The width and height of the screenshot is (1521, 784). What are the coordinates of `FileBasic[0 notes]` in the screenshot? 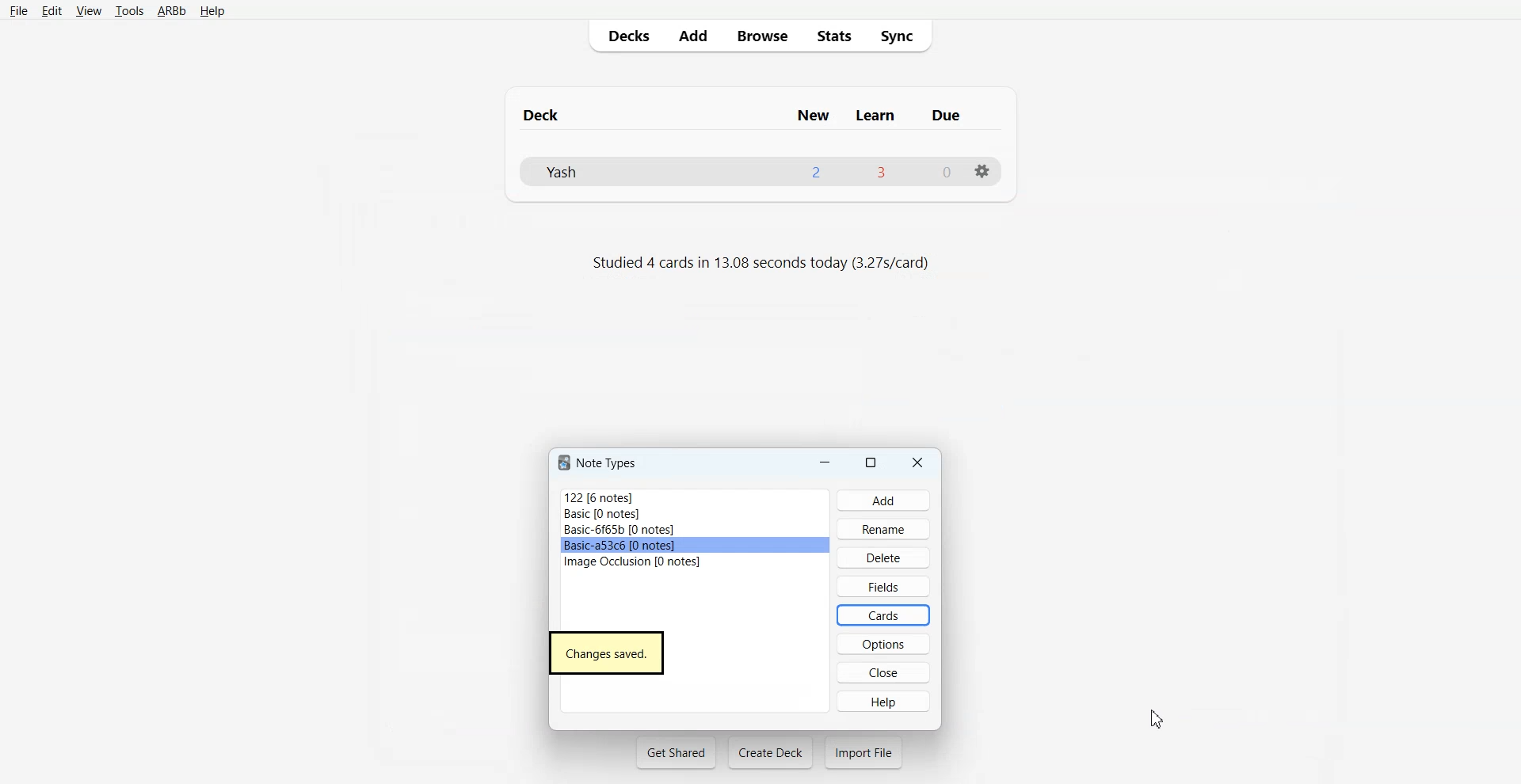 It's located at (695, 514).